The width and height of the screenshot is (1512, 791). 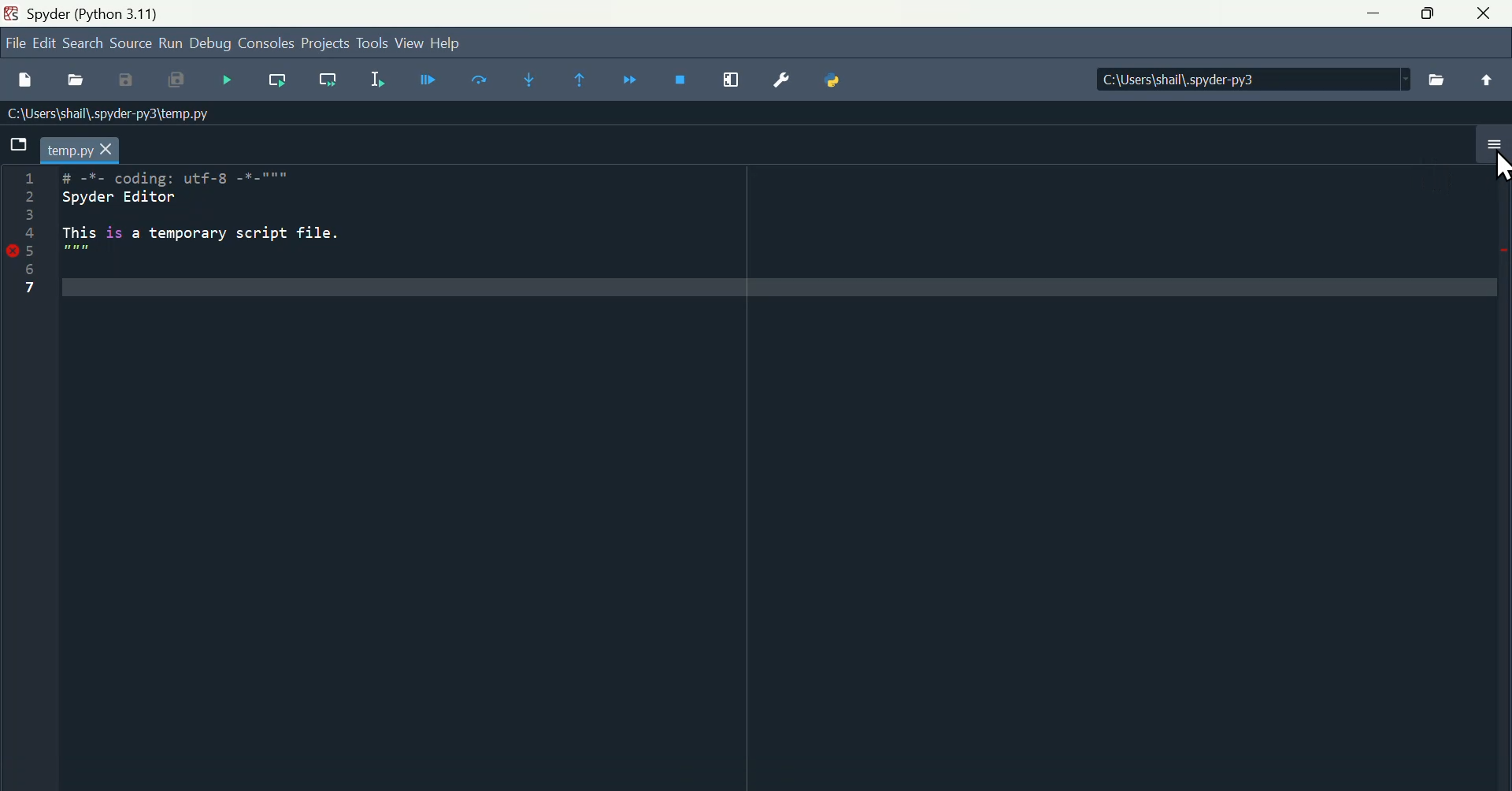 I want to click on # -*- coding: utf-8 -*-"""
Spyder Editor
This is a temporary script file., so click(x=215, y=230).